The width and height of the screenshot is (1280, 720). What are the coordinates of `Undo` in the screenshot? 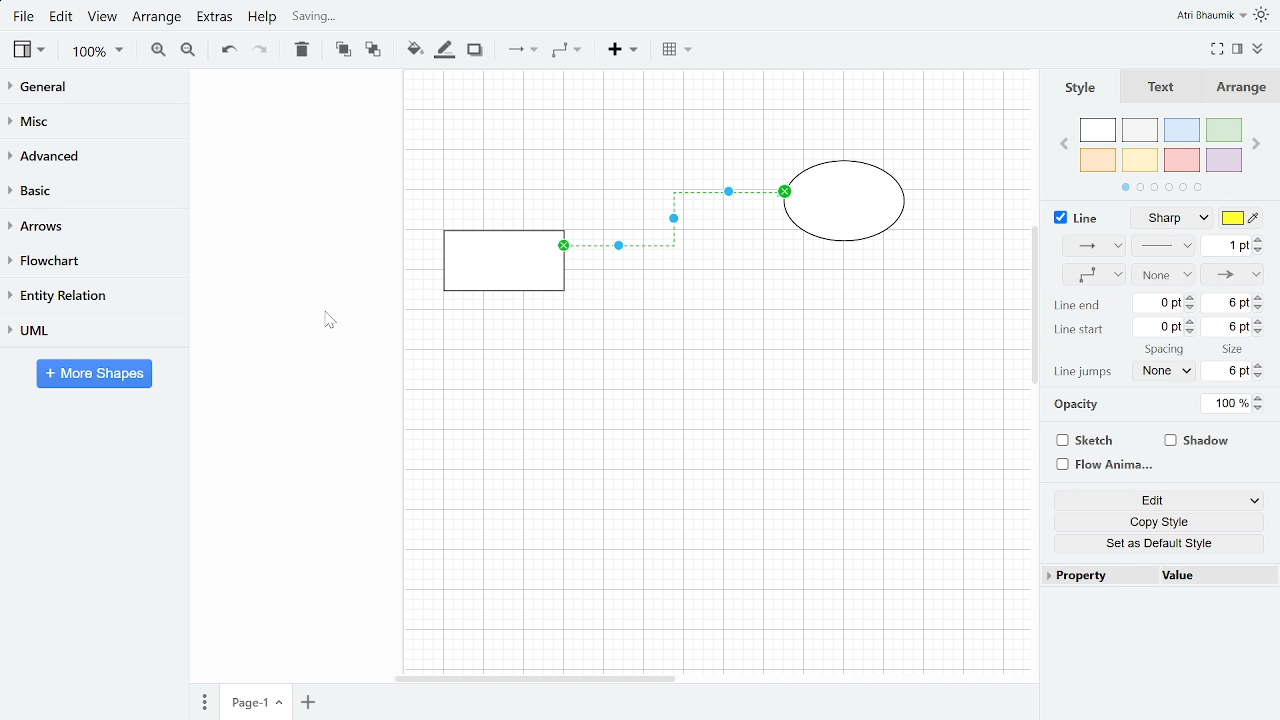 It's located at (227, 50).